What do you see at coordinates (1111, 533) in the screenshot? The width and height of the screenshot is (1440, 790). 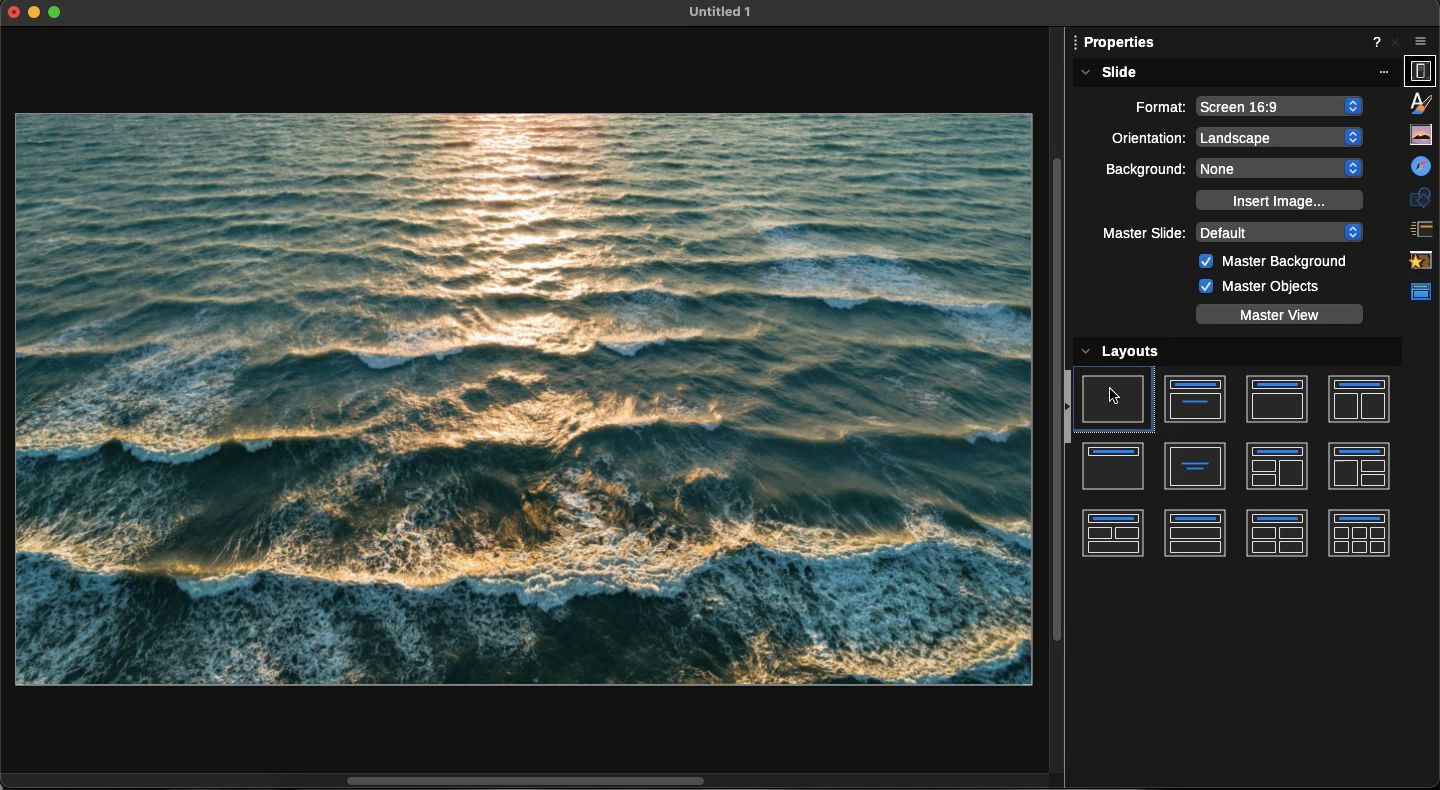 I see `Title and three boxes` at bounding box center [1111, 533].